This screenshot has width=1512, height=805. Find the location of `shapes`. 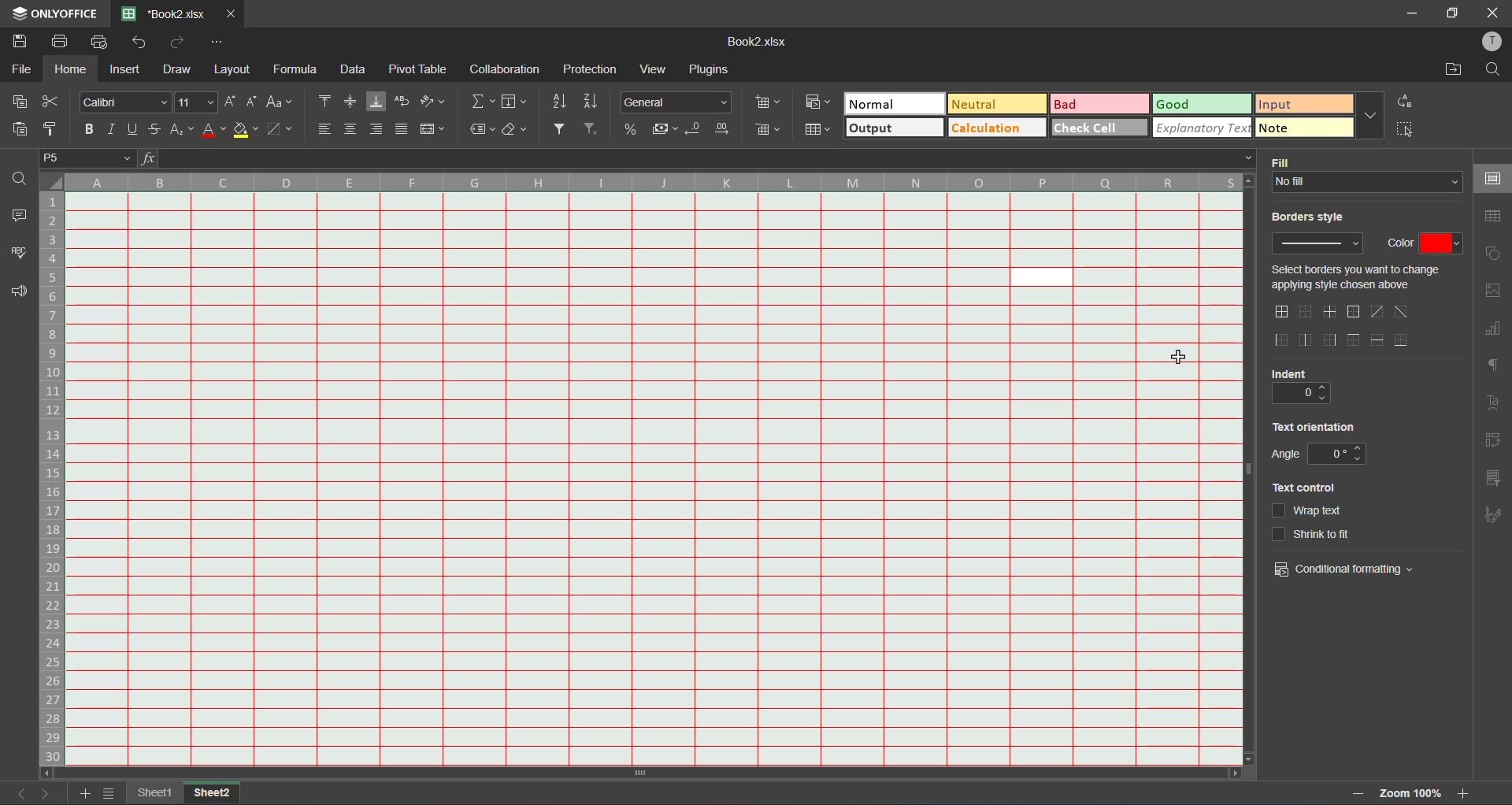

shapes is located at coordinates (1493, 253).